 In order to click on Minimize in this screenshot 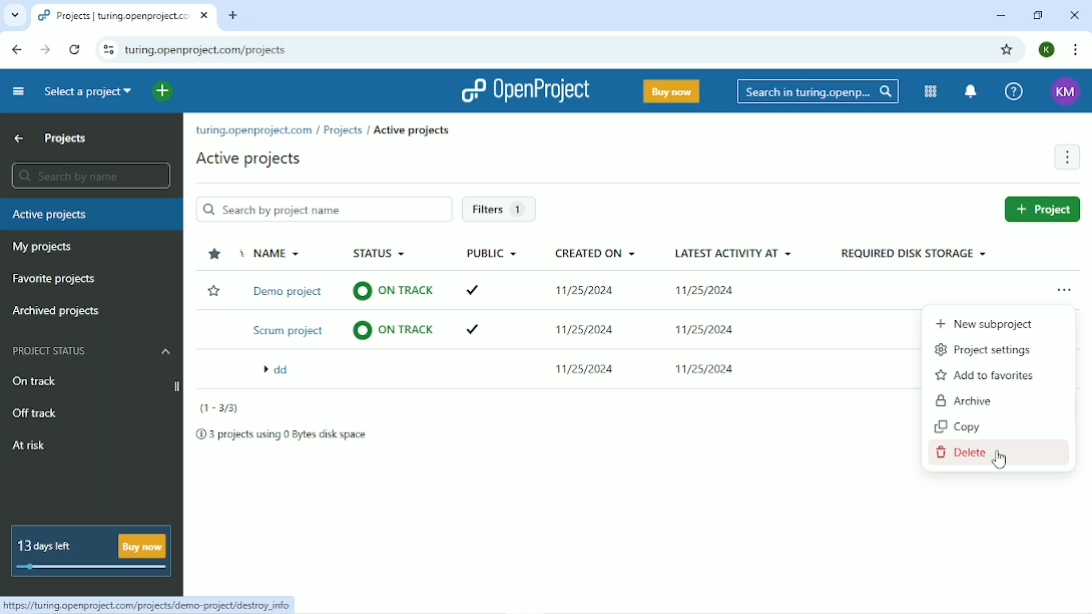, I will do `click(998, 17)`.